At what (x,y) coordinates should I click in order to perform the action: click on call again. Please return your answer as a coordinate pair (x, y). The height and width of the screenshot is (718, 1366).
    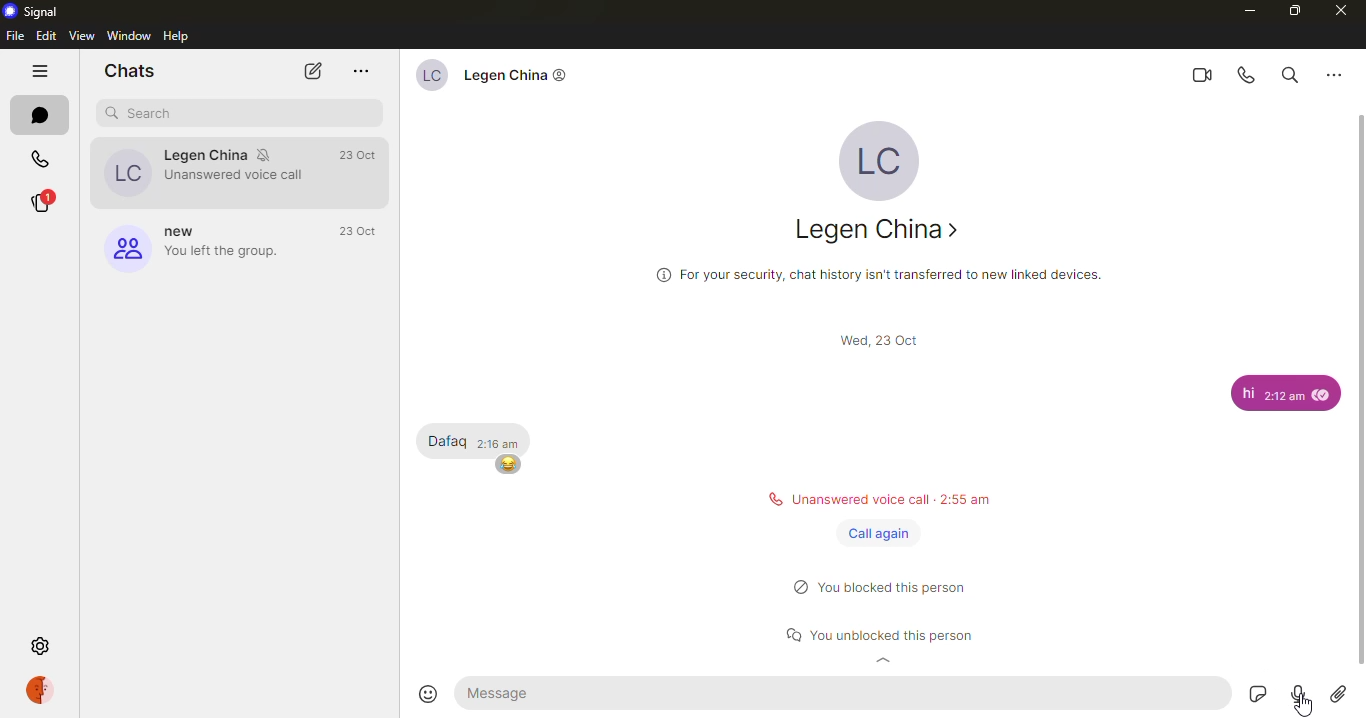
    Looking at the image, I should click on (875, 534).